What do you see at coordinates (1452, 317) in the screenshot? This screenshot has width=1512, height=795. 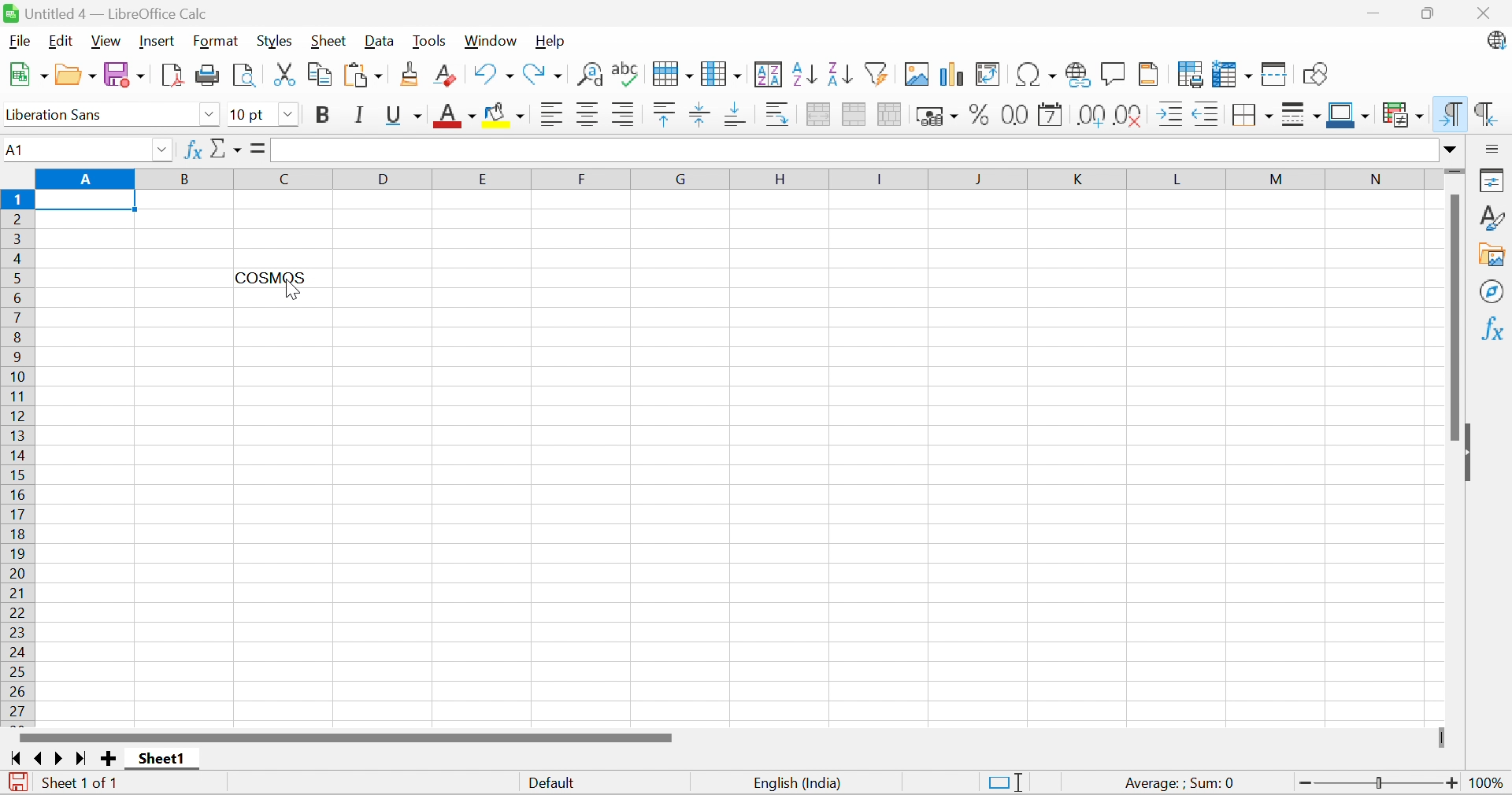 I see `Scroll Bar` at bounding box center [1452, 317].